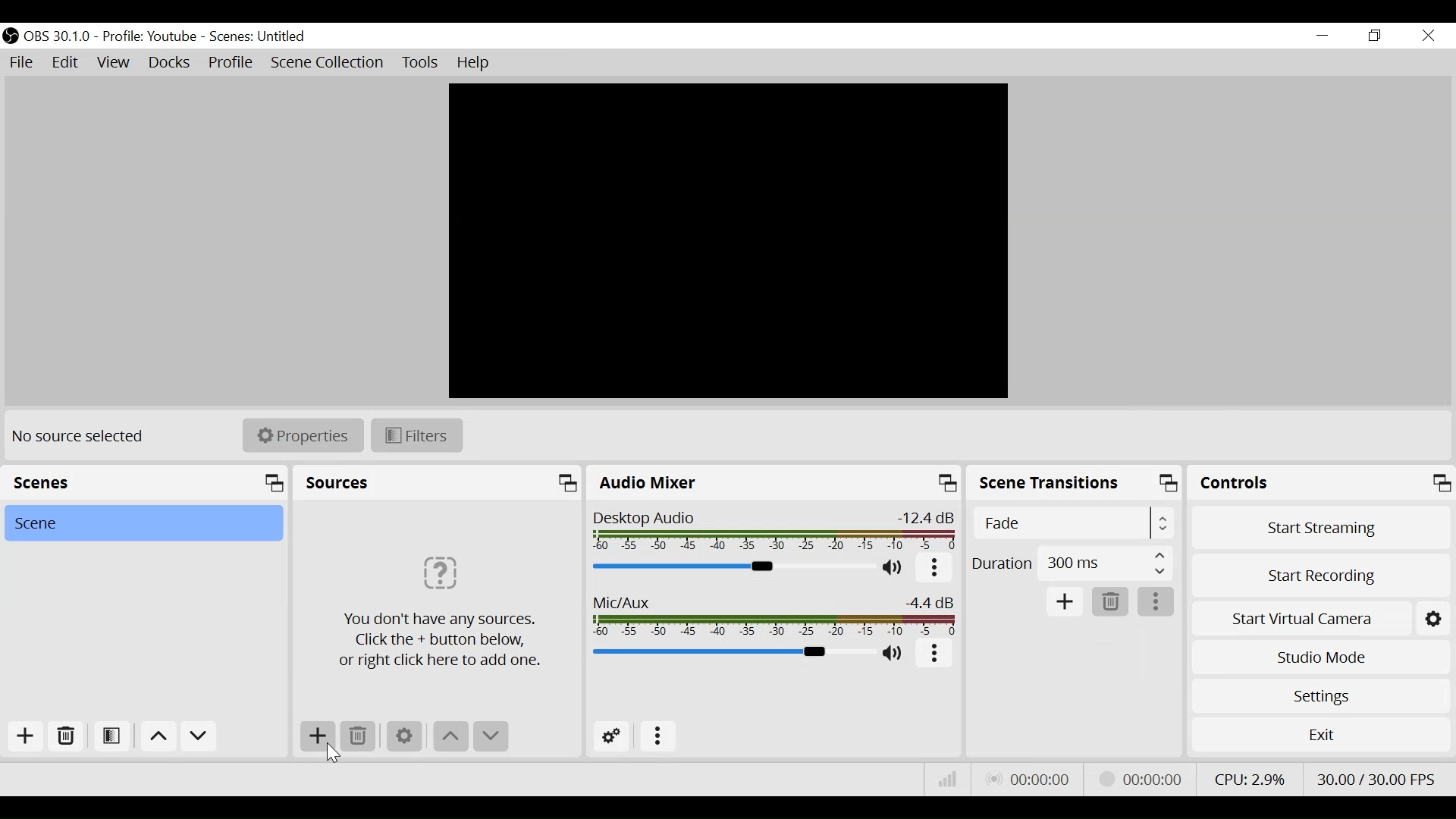 The width and height of the screenshot is (1456, 819). I want to click on Filters, so click(417, 436).